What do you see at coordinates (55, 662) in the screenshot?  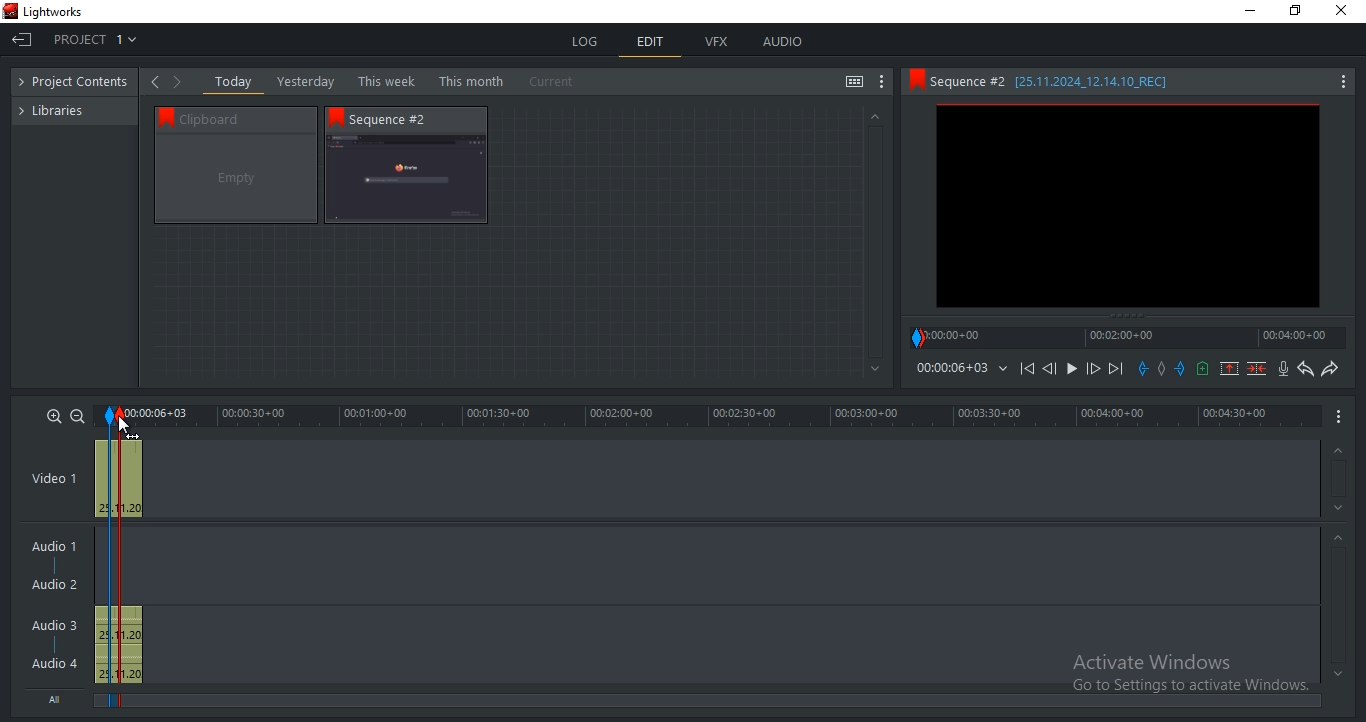 I see `Audio 4` at bounding box center [55, 662].